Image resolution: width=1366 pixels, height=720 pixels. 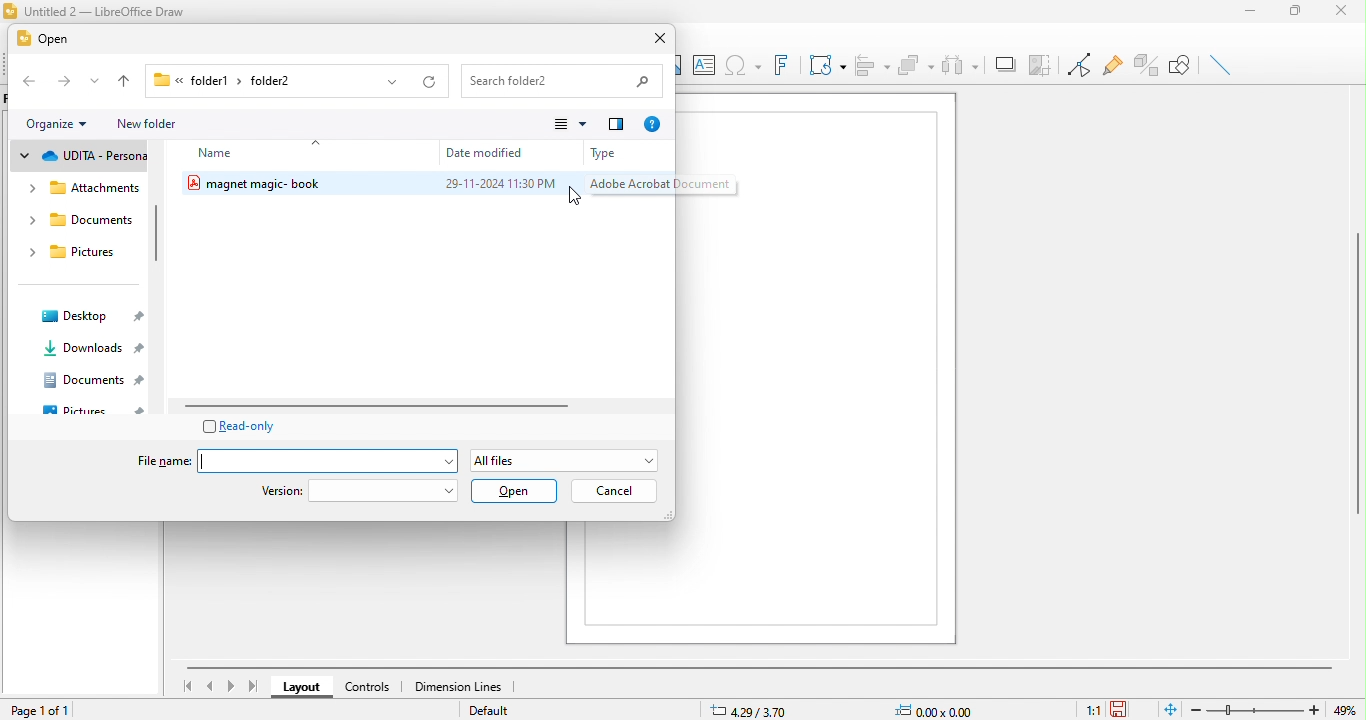 What do you see at coordinates (27, 82) in the screenshot?
I see `back` at bounding box center [27, 82].